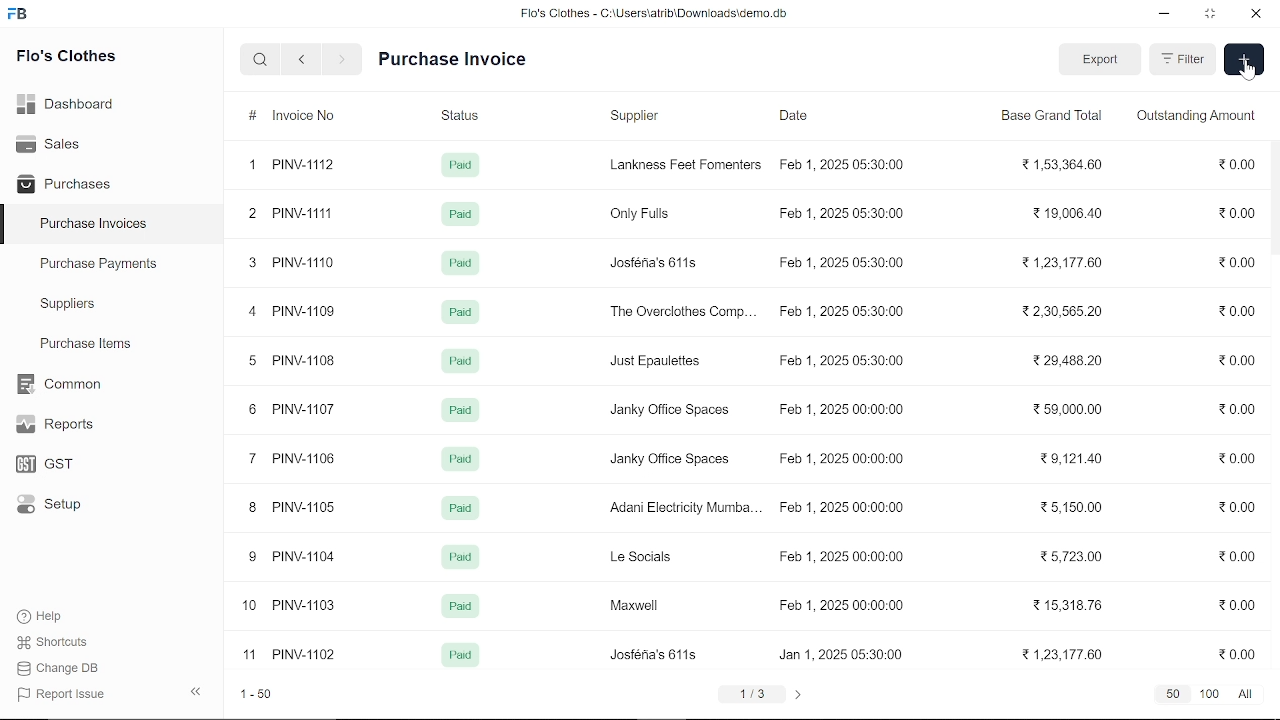 The image size is (1280, 720). What do you see at coordinates (746, 606) in the screenshot?
I see `10 PINV-1103 Pad Maxwell Feb 1, 2025 00:00:00 21531876 20.00` at bounding box center [746, 606].